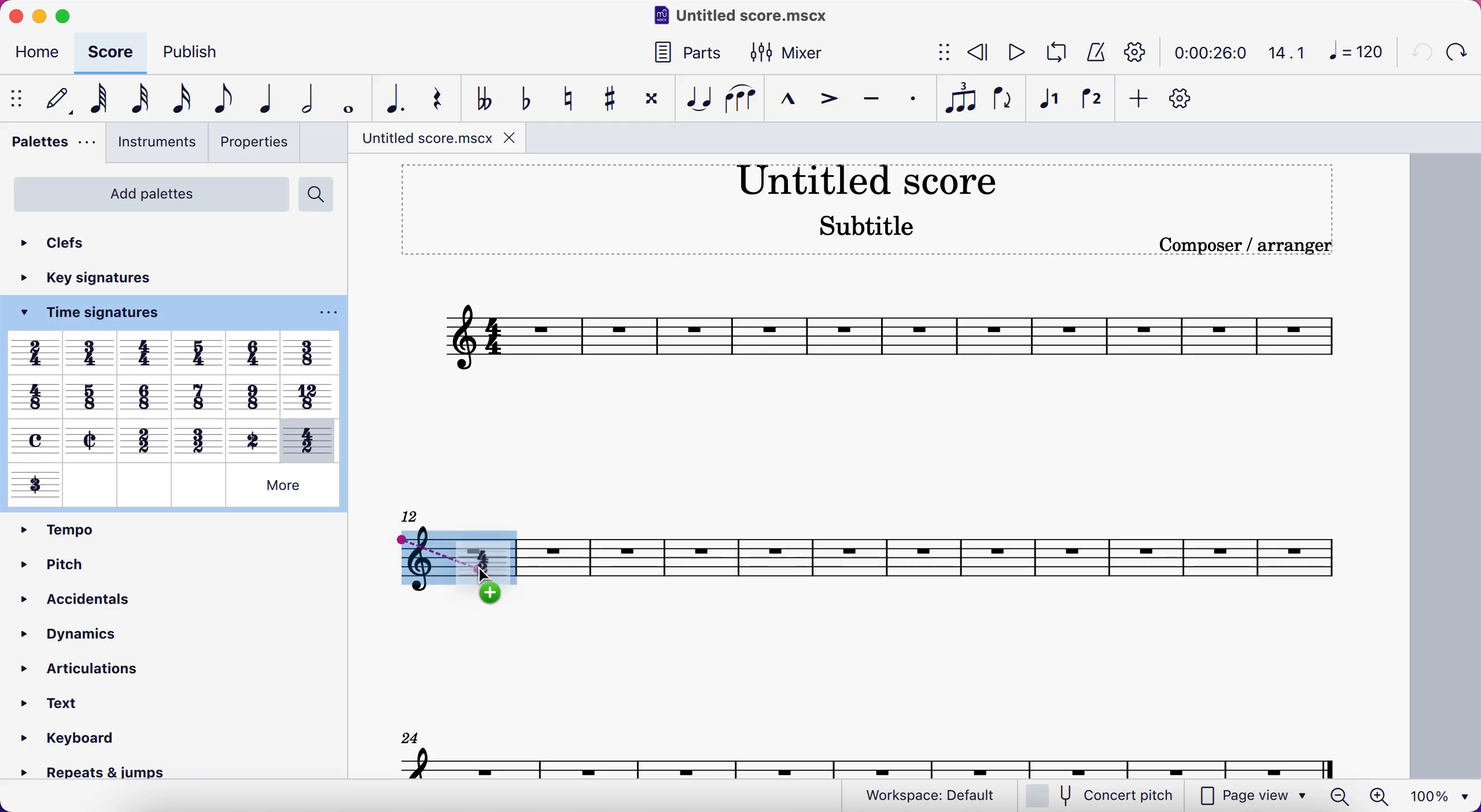 The image size is (1481, 812). What do you see at coordinates (83, 630) in the screenshot?
I see `dynamics` at bounding box center [83, 630].